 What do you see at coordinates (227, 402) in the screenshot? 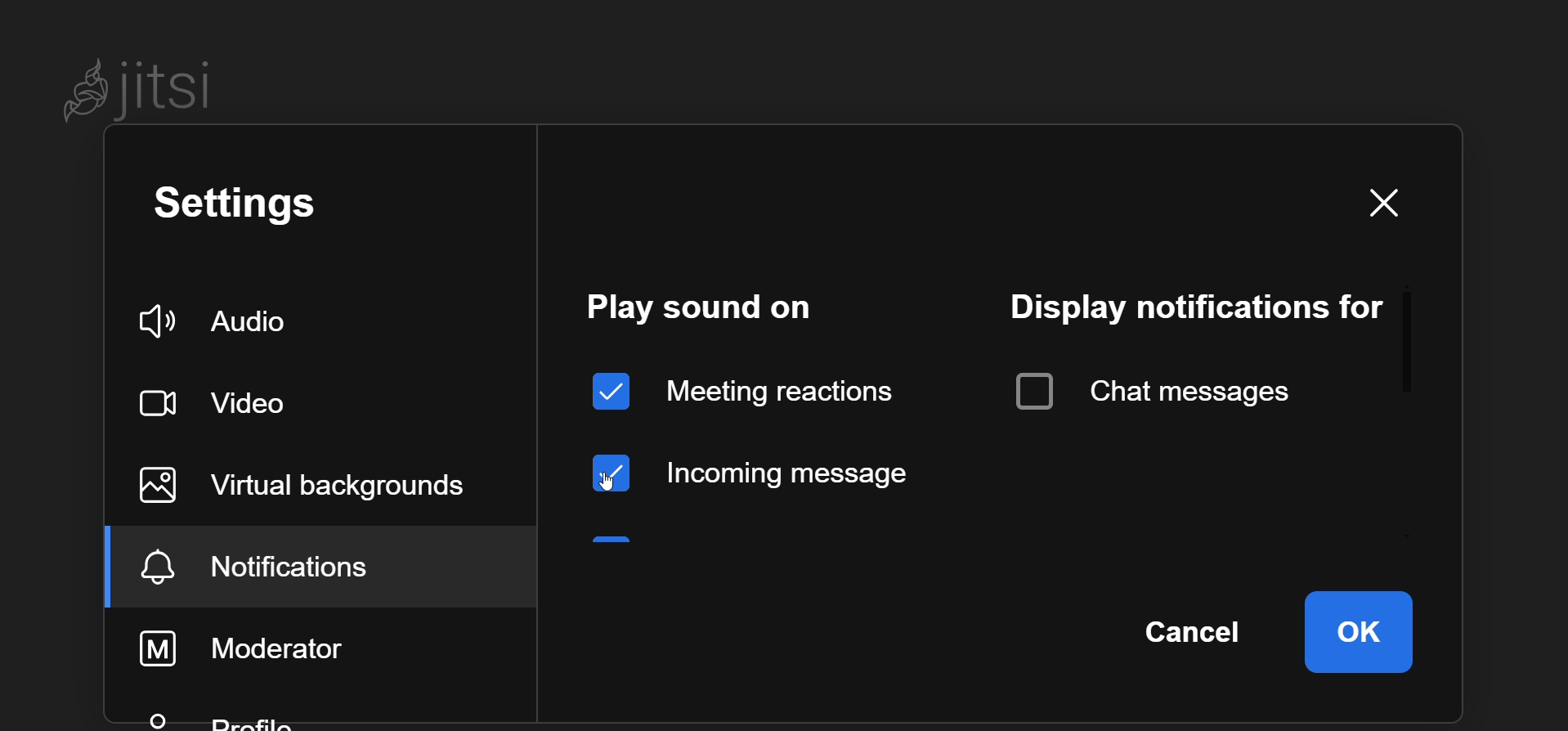
I see `video` at bounding box center [227, 402].